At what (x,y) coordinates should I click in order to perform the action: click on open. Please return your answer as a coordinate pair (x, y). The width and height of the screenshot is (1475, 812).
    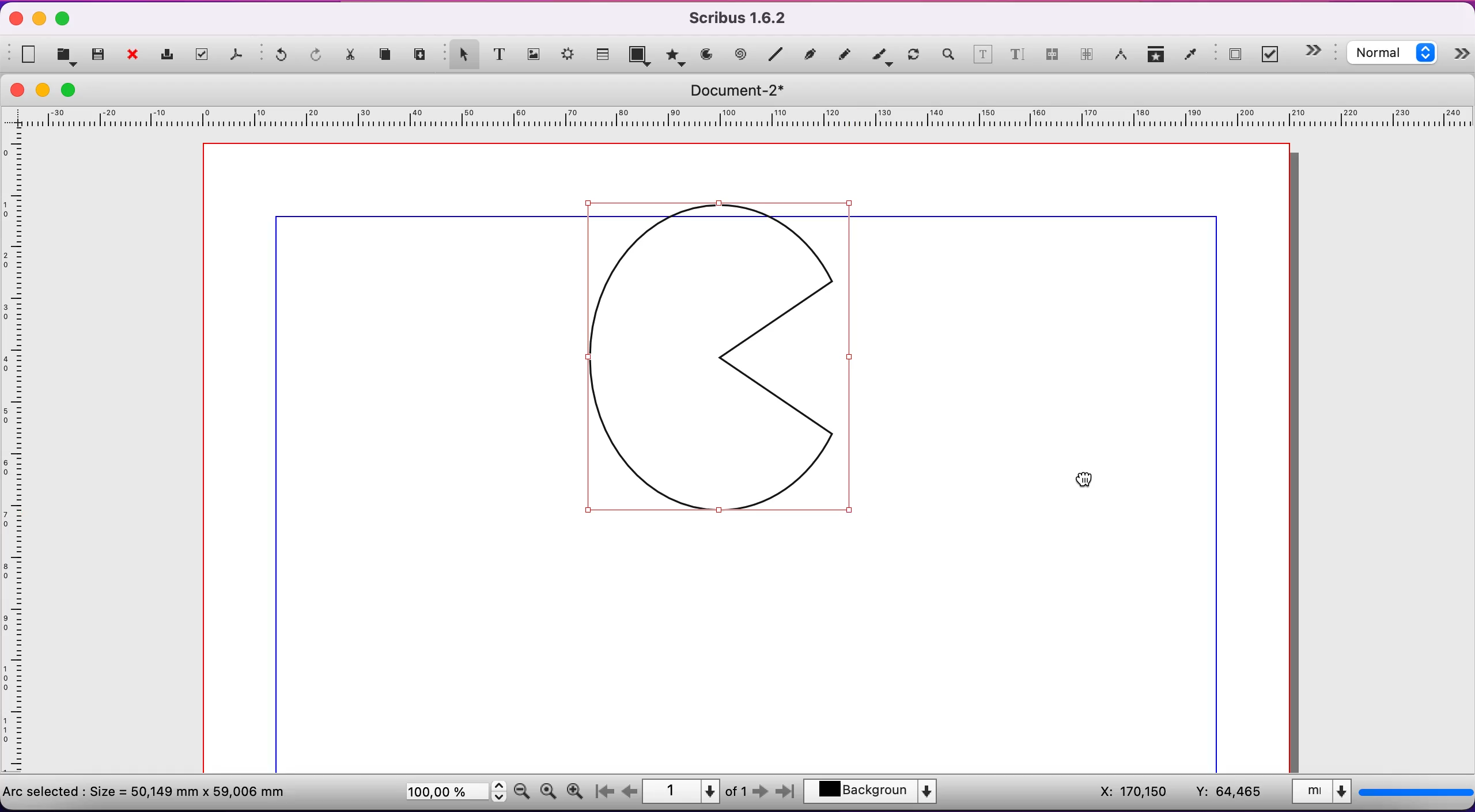
    Looking at the image, I should click on (68, 55).